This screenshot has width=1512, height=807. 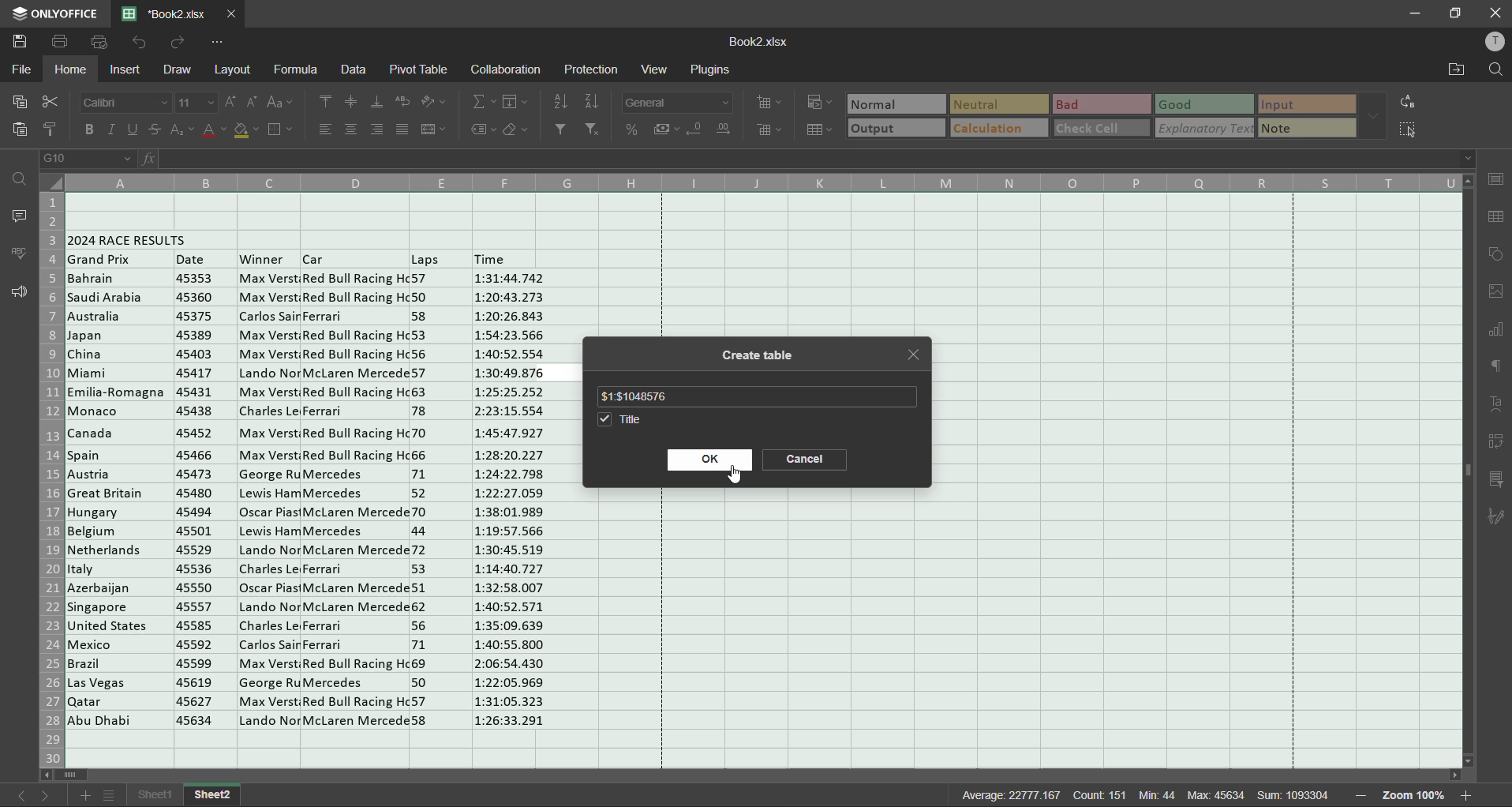 I want to click on grand prix, so click(x=100, y=259).